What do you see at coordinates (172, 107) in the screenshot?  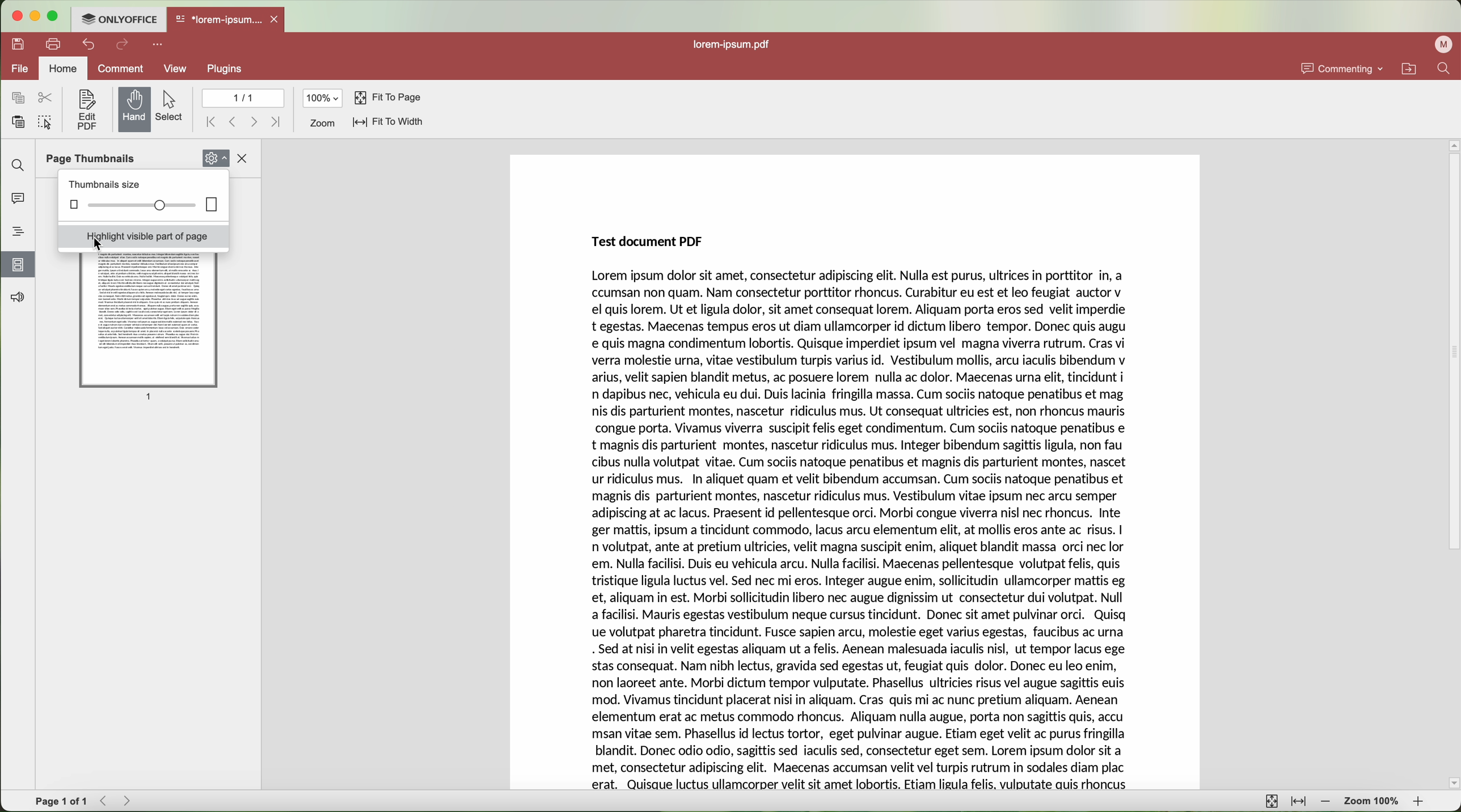 I see `select` at bounding box center [172, 107].